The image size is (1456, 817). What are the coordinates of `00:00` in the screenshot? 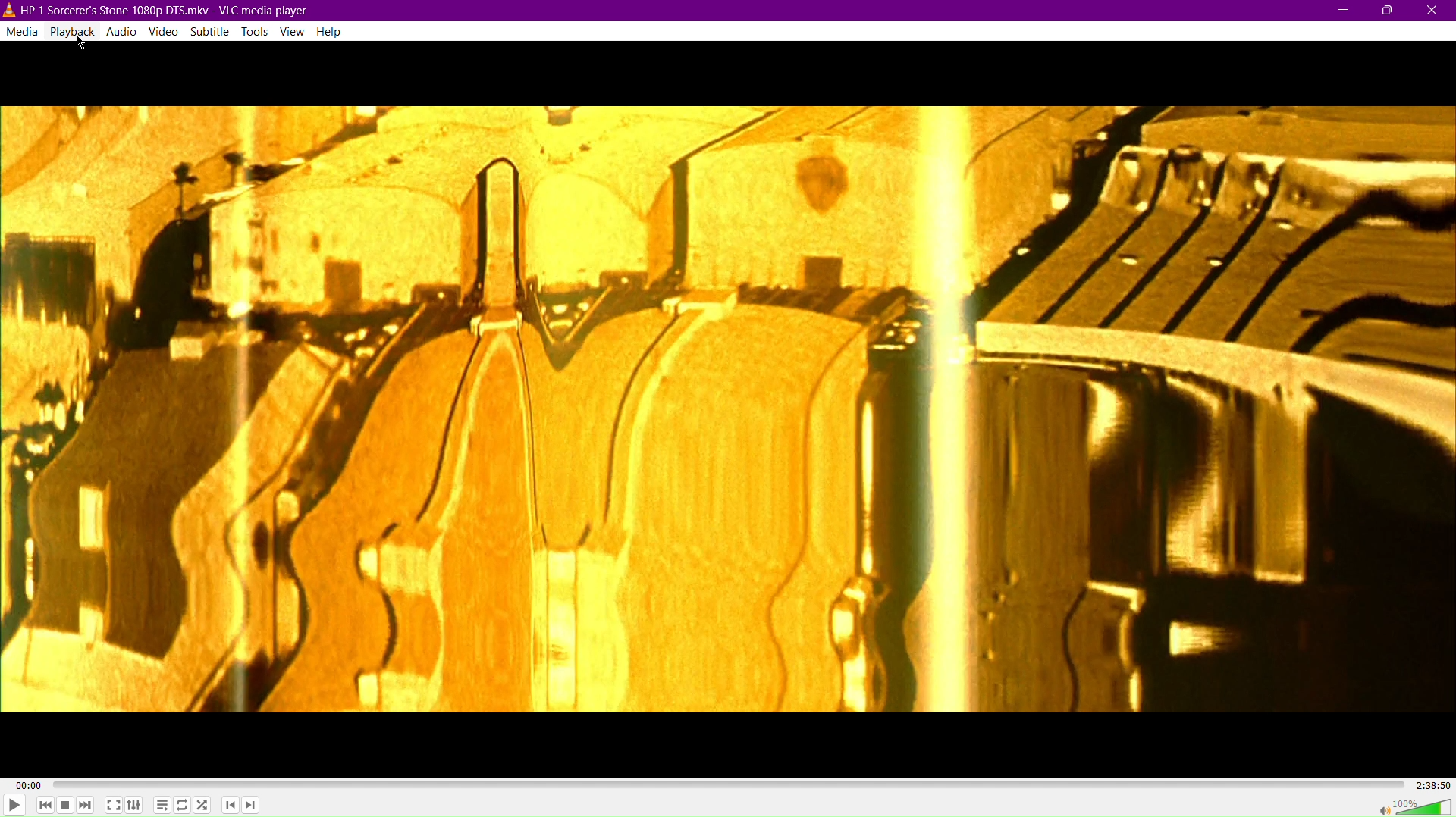 It's located at (31, 784).